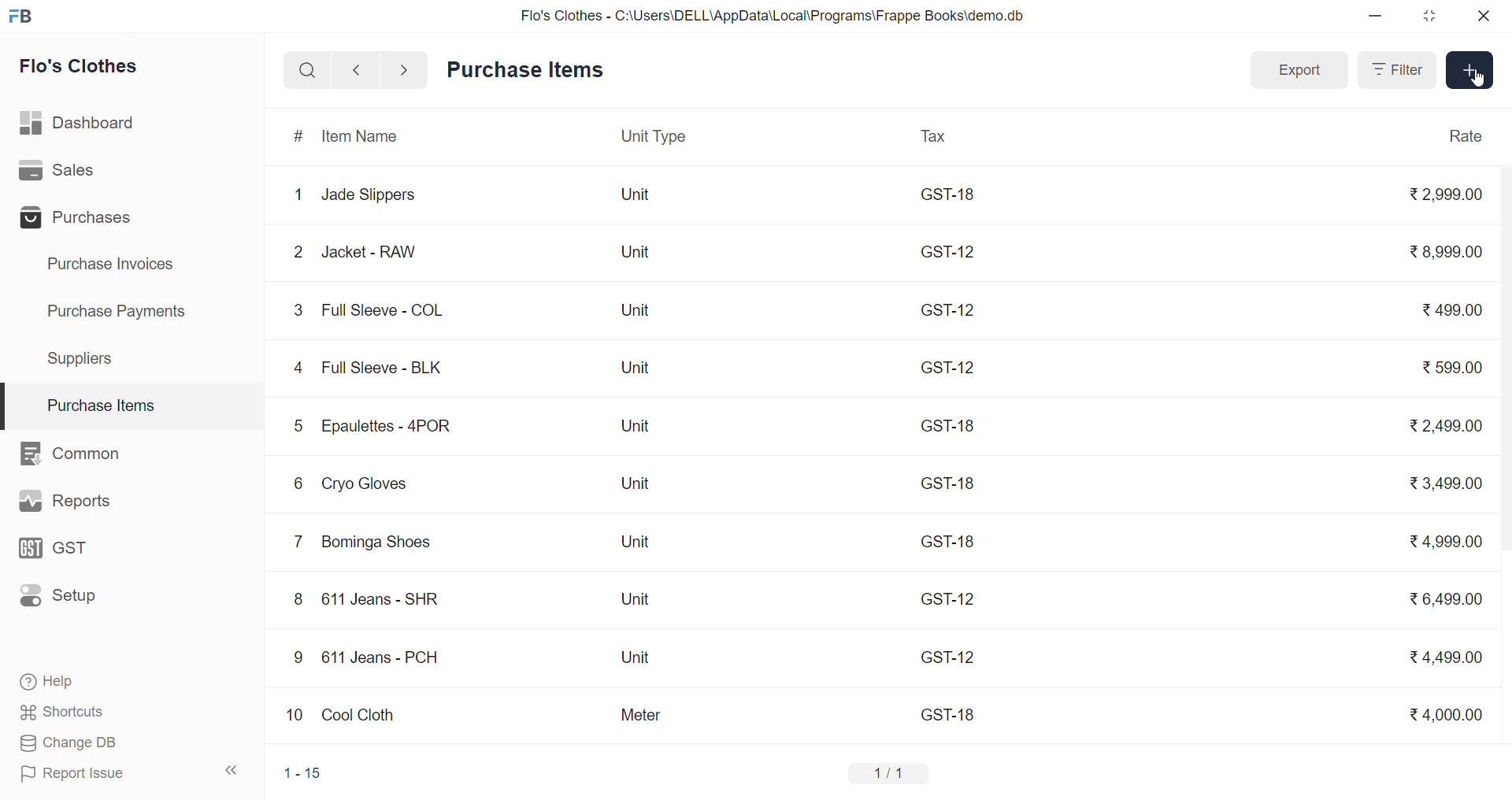  I want to click on Unit, so click(648, 659).